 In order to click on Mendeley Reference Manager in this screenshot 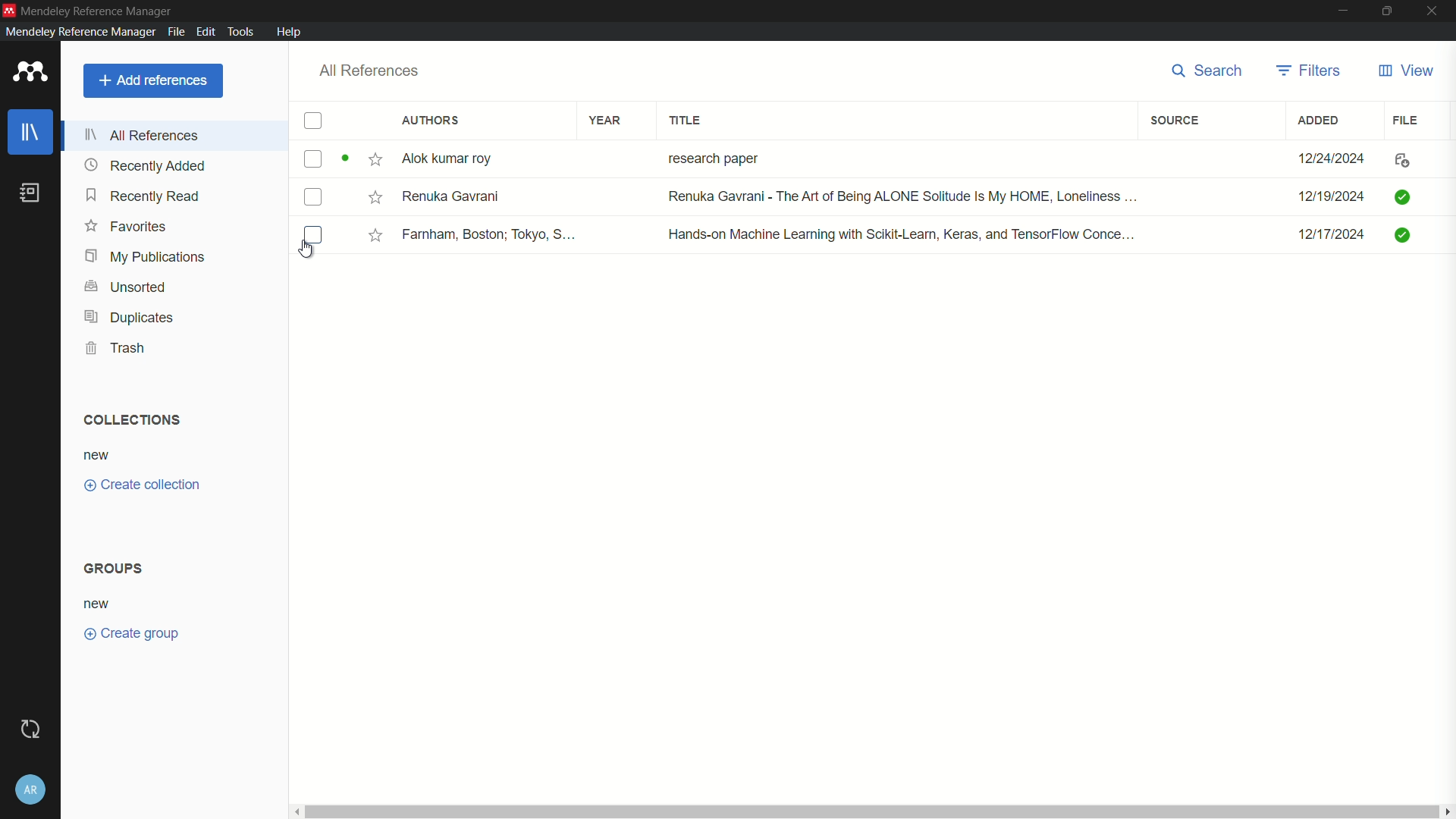, I will do `click(102, 9)`.